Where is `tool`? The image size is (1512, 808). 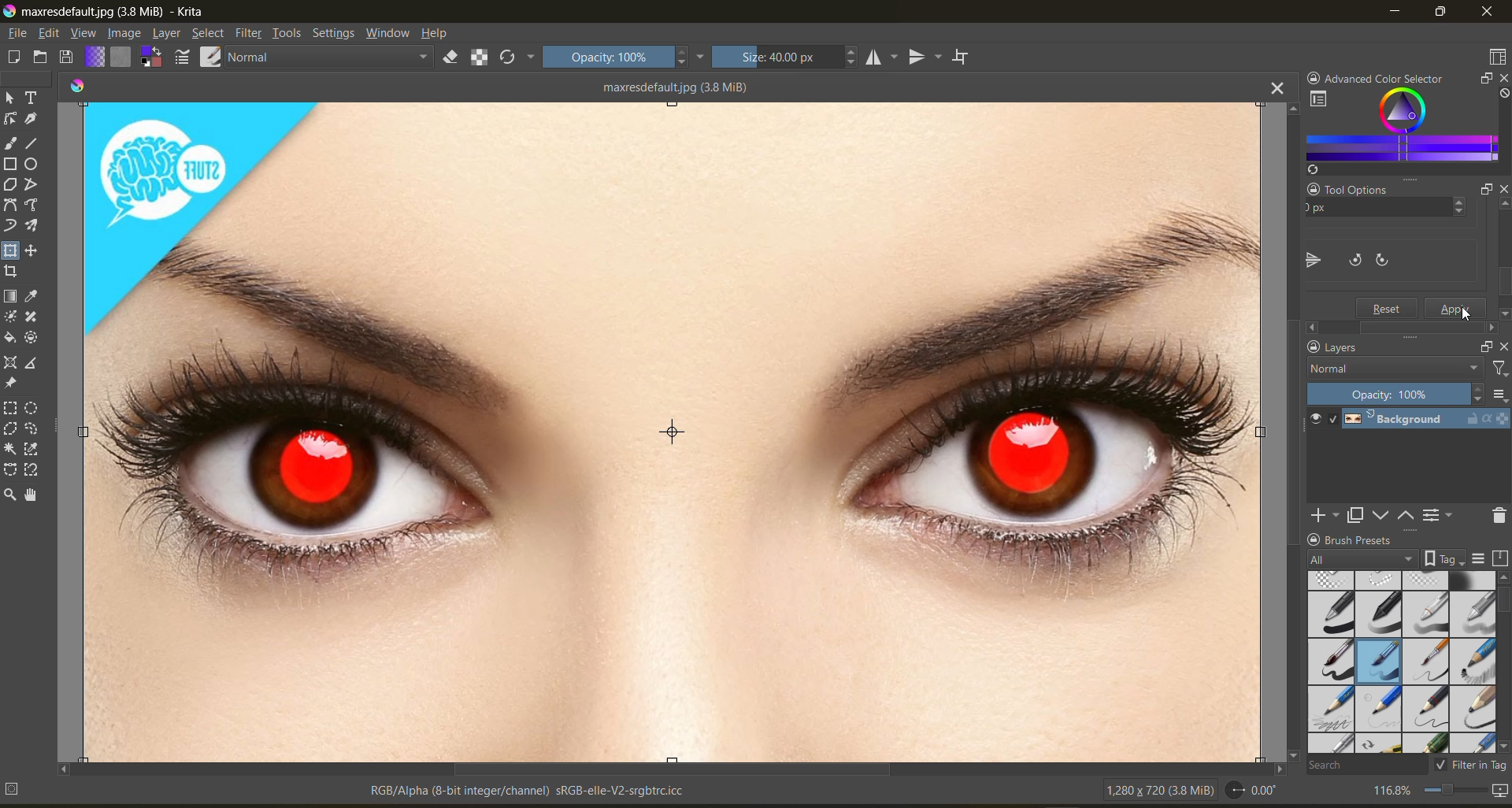 tool is located at coordinates (33, 165).